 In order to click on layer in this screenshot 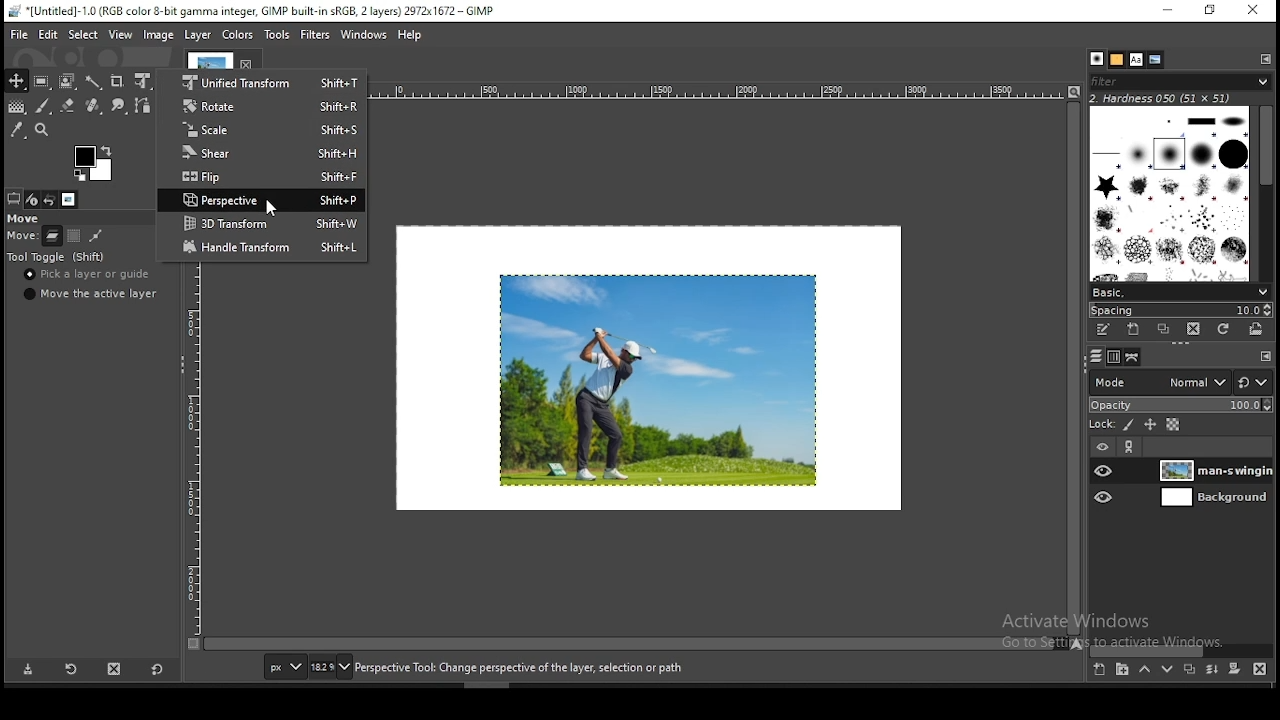, I will do `click(198, 35)`.